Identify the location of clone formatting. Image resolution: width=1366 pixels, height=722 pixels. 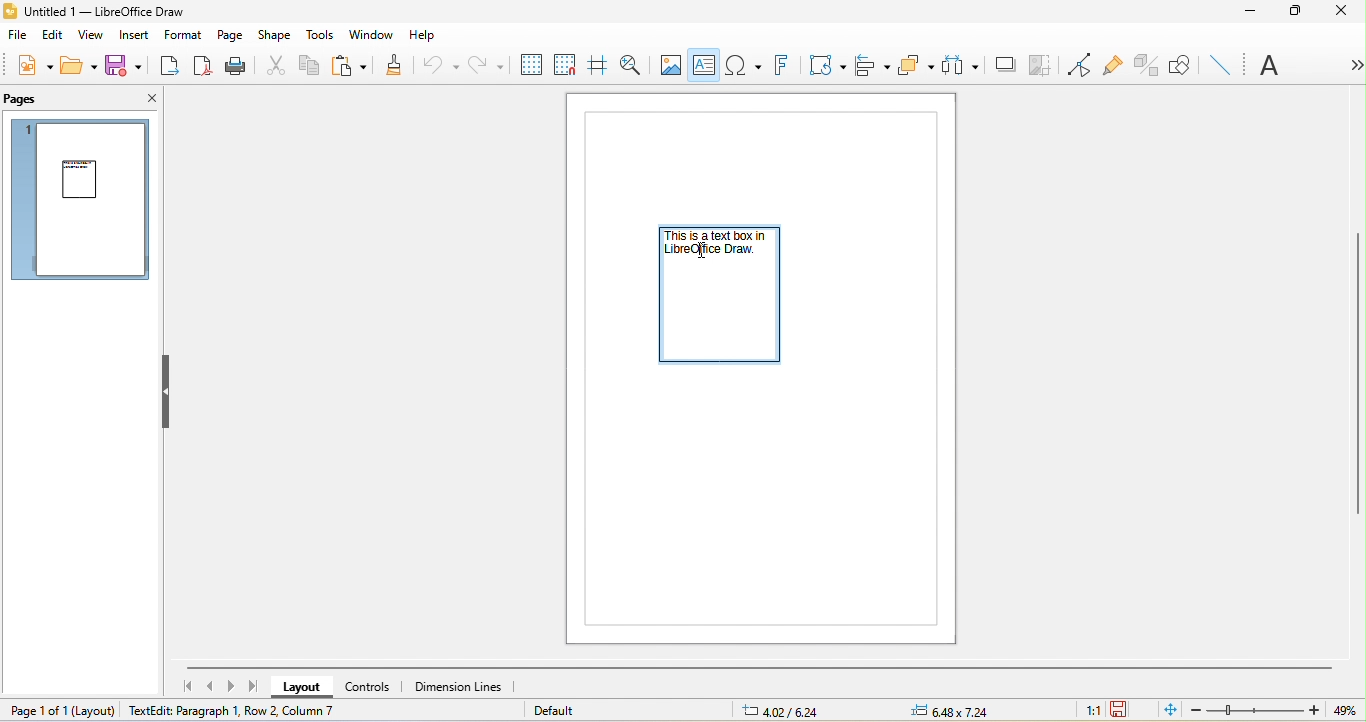
(400, 65).